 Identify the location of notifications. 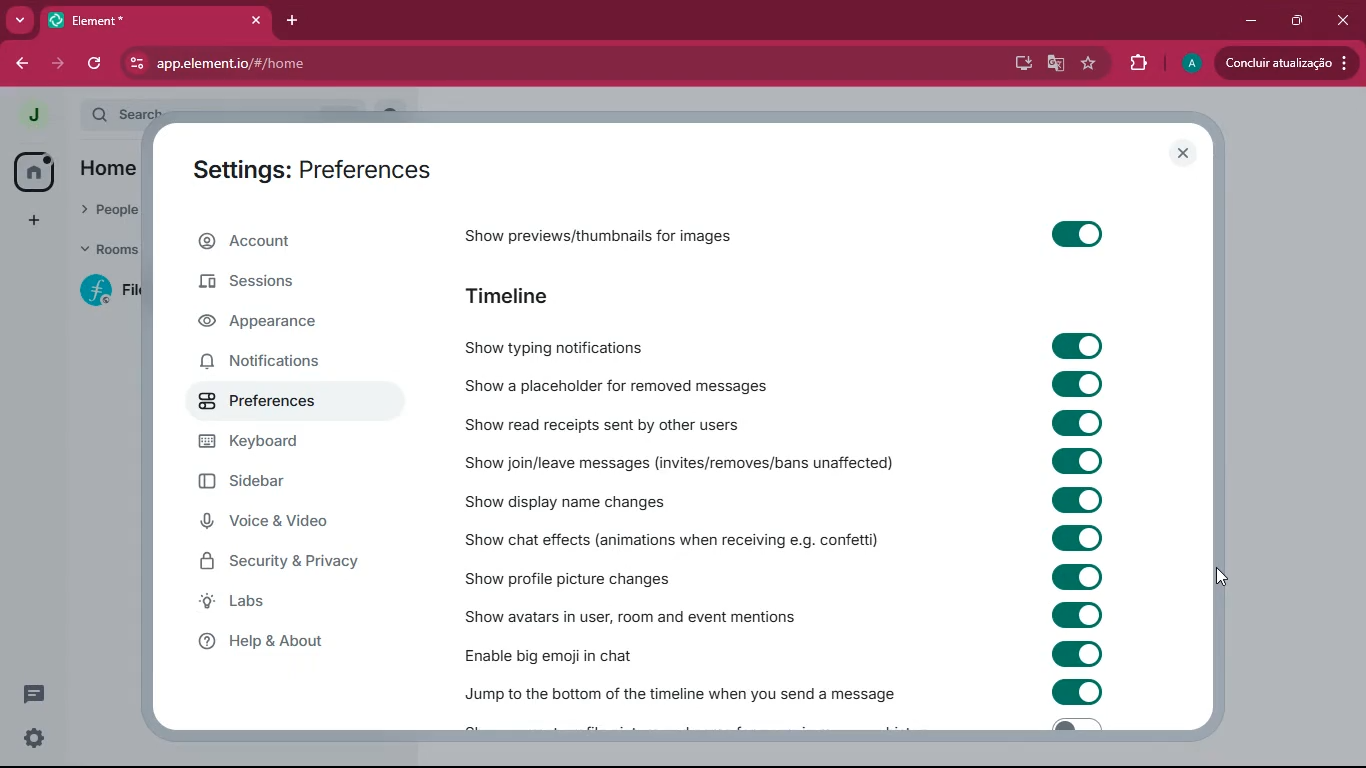
(290, 362).